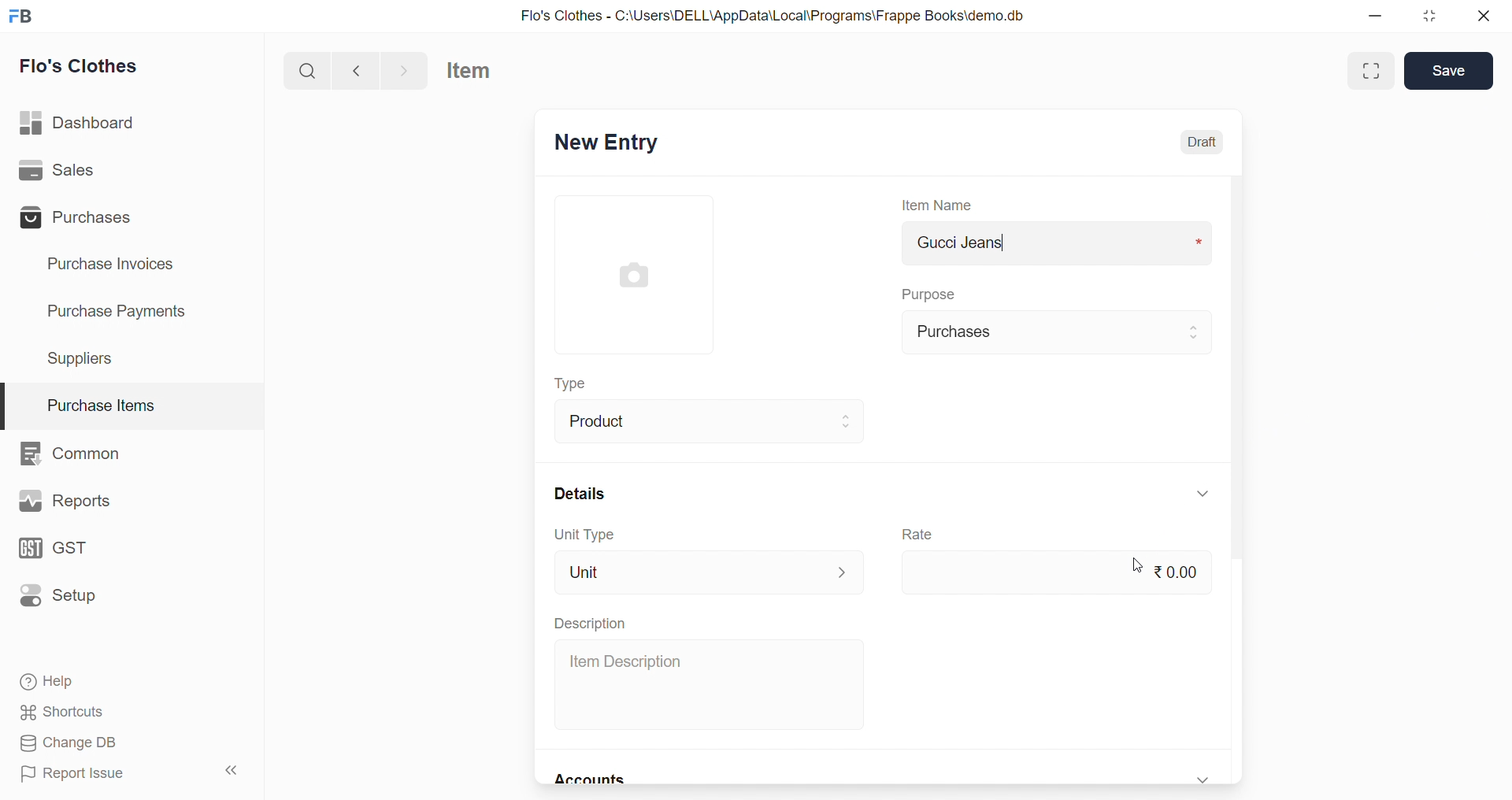 Image resolution: width=1512 pixels, height=800 pixels. What do you see at coordinates (773, 14) in the screenshot?
I see `Flo's Clothes - C:\Users\DELL\AppData\Local\Programs\Frappe Books\demo.db` at bounding box center [773, 14].